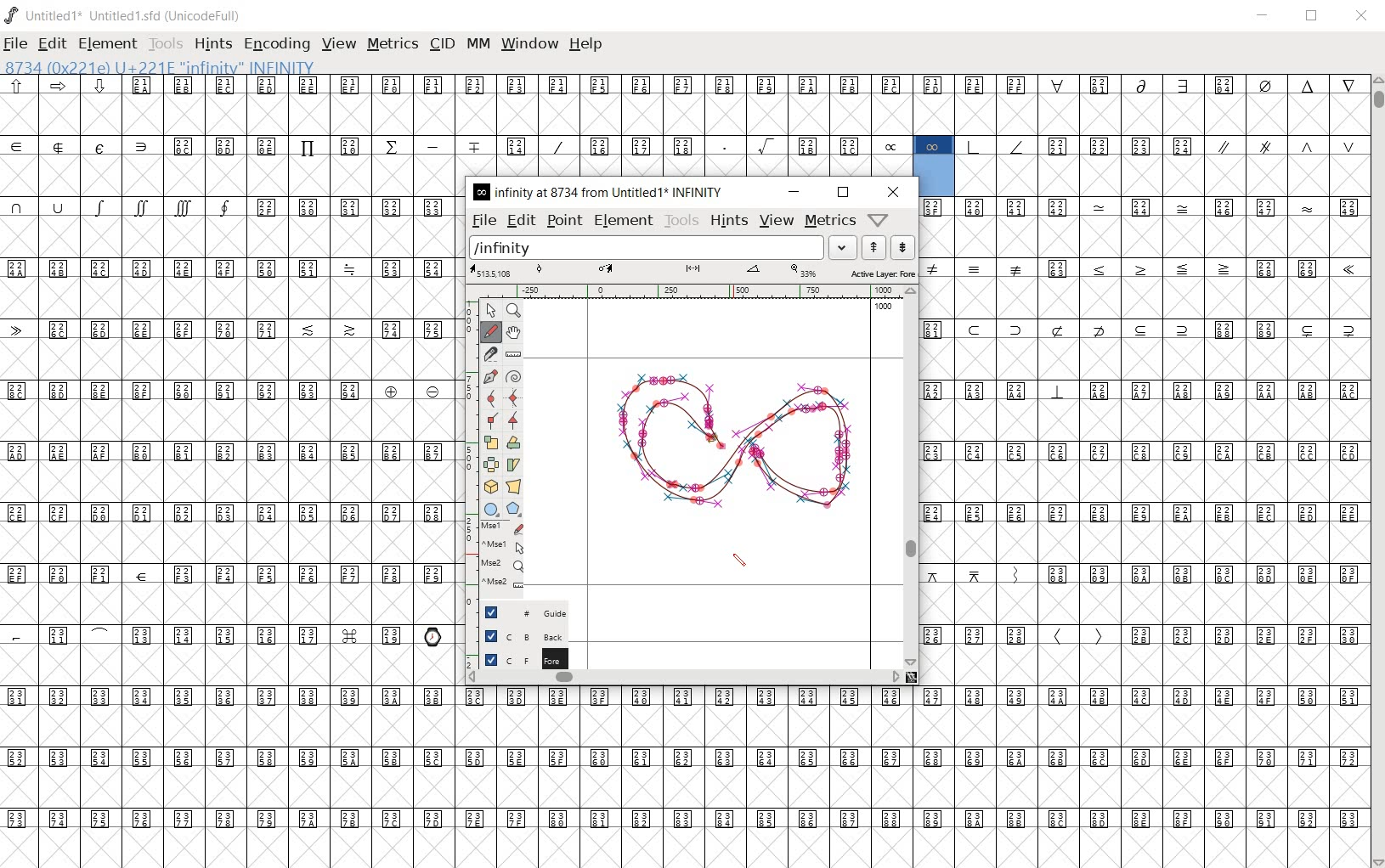 This screenshot has width=1385, height=868. What do you see at coordinates (1078, 636) in the screenshot?
I see `symbols` at bounding box center [1078, 636].